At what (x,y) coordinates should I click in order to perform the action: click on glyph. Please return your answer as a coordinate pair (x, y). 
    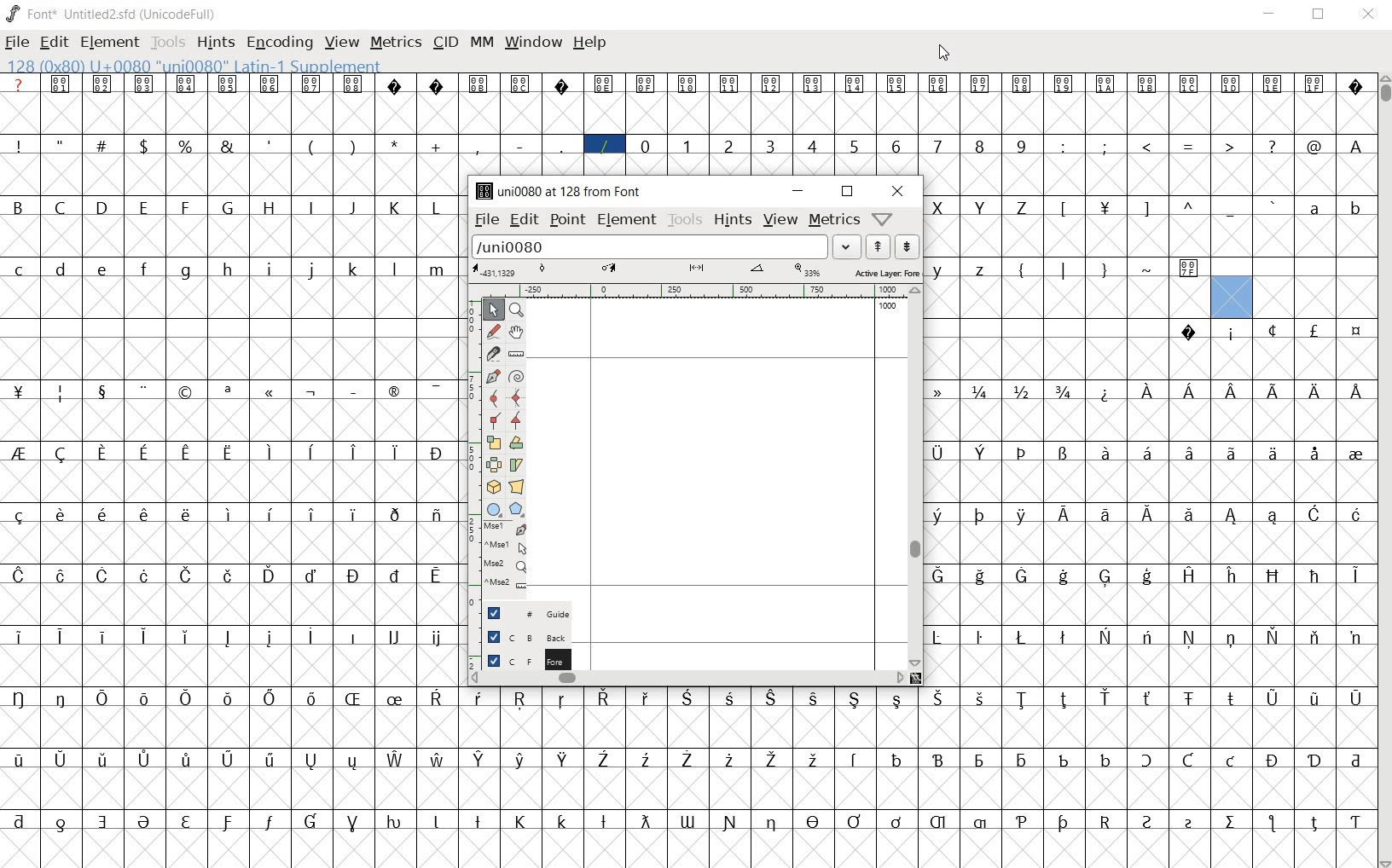
    Looking at the image, I should click on (1189, 699).